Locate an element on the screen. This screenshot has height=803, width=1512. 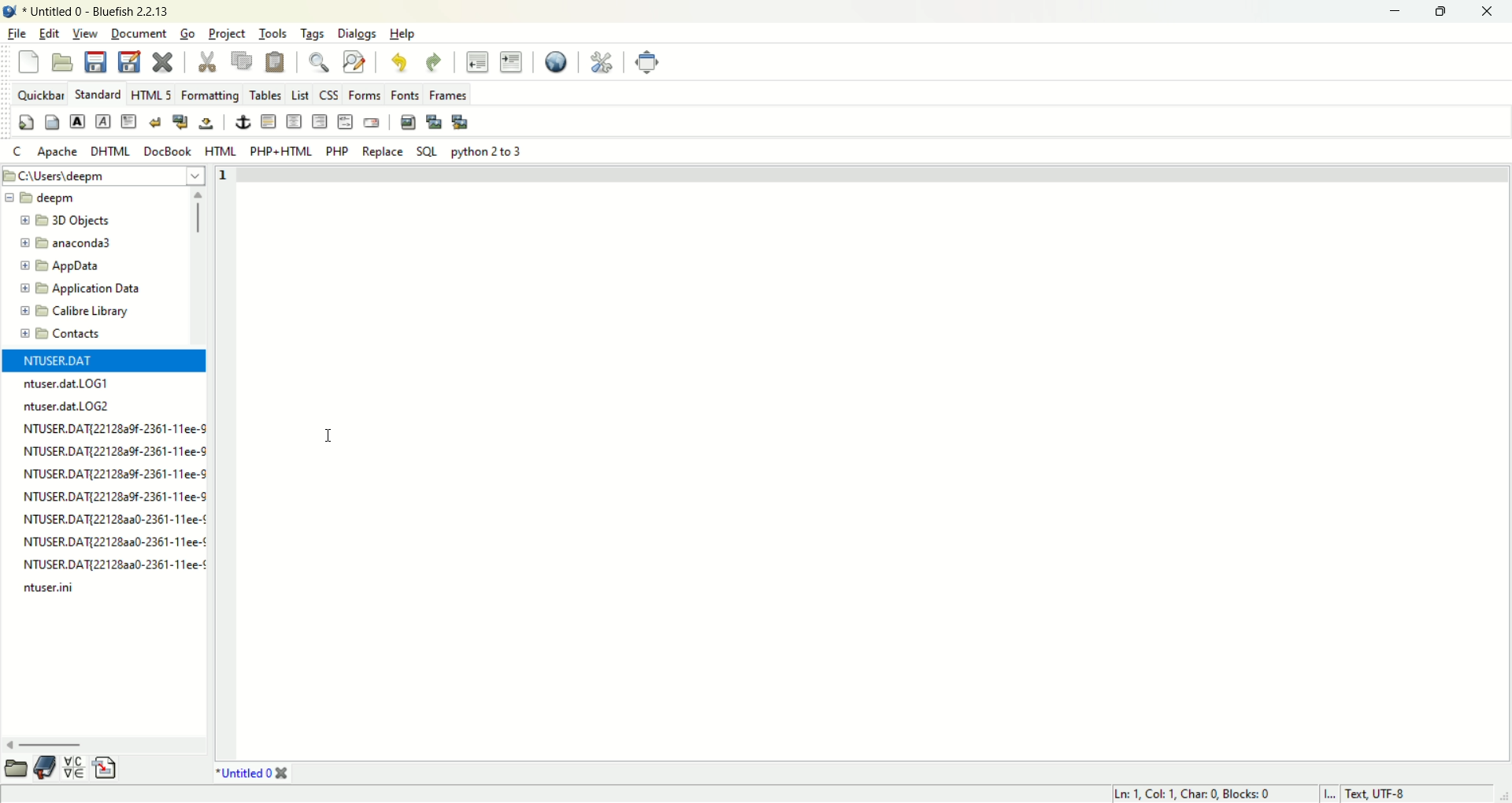
Formatting is located at coordinates (212, 95).